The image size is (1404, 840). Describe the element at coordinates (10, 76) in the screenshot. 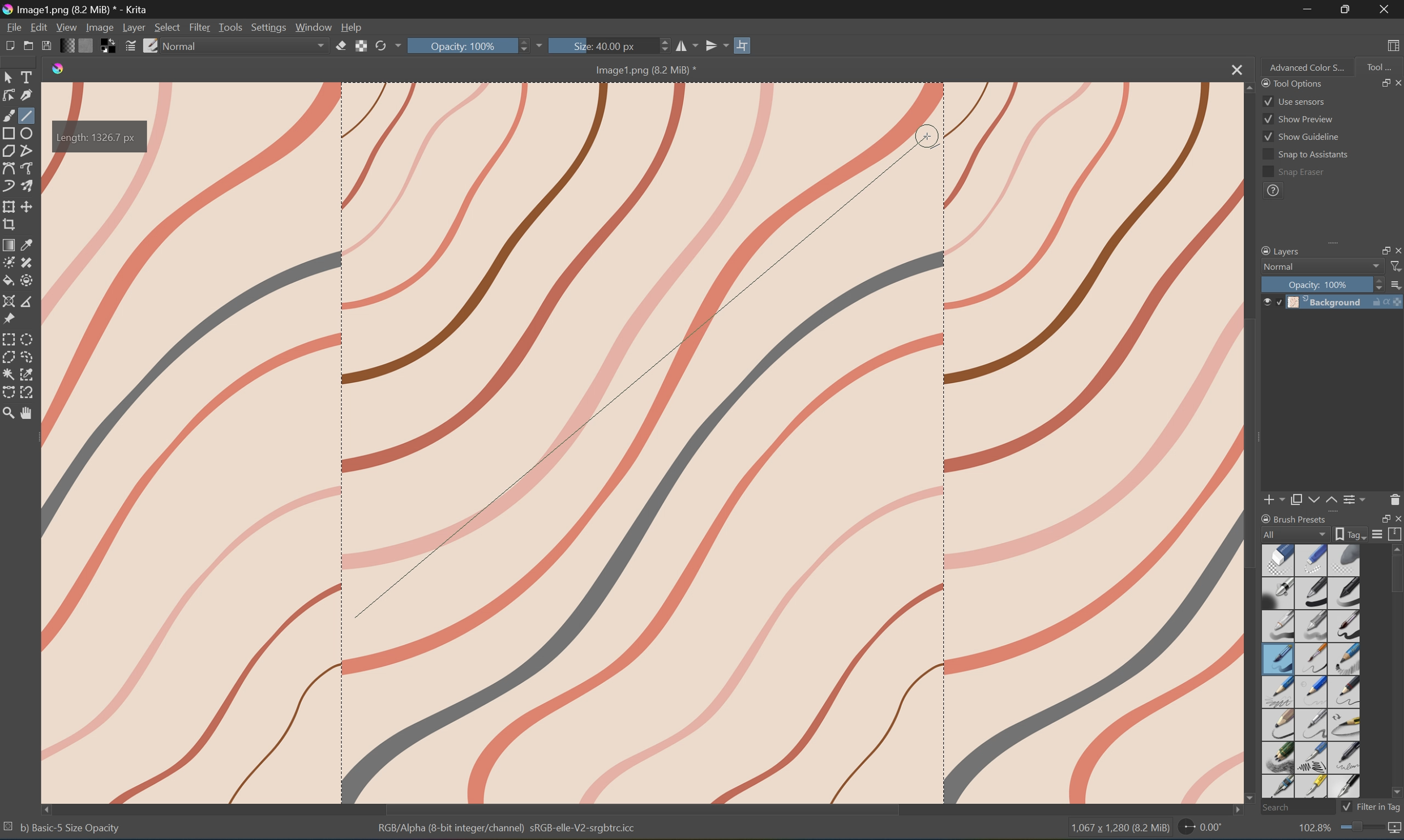

I see `Select shapes tools` at that location.